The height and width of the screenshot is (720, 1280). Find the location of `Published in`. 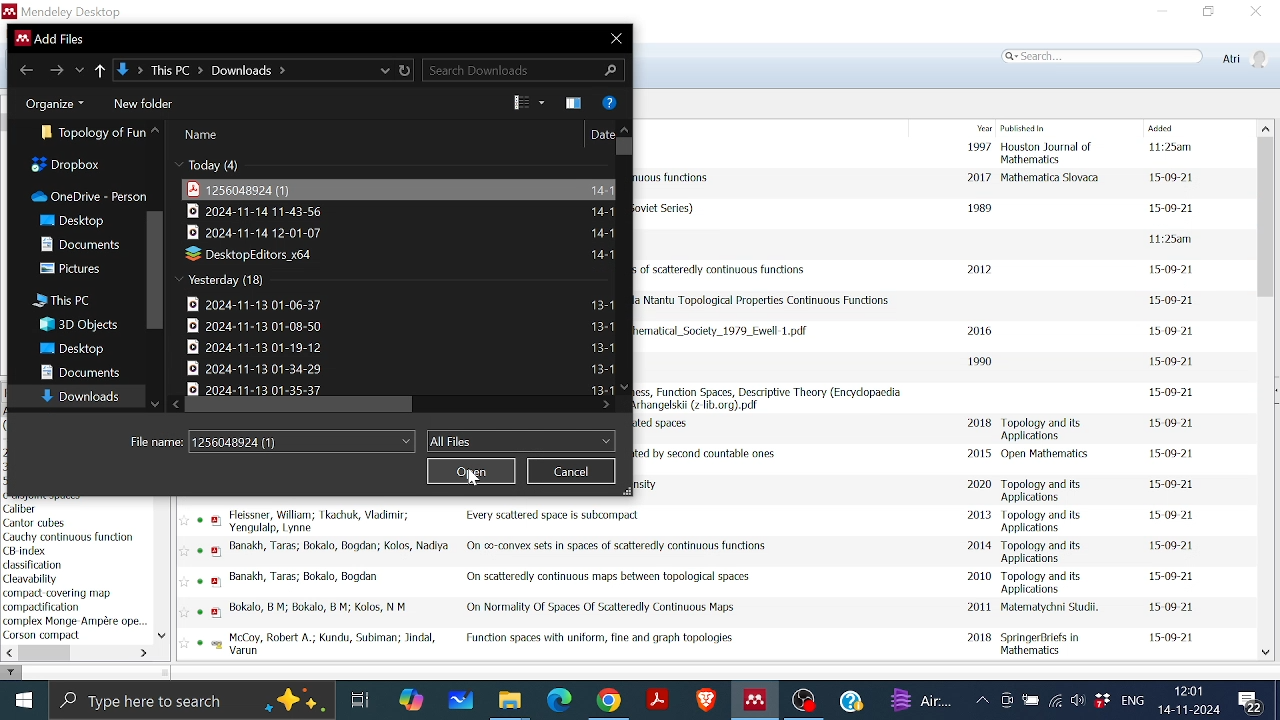

Published in is located at coordinates (1044, 453).